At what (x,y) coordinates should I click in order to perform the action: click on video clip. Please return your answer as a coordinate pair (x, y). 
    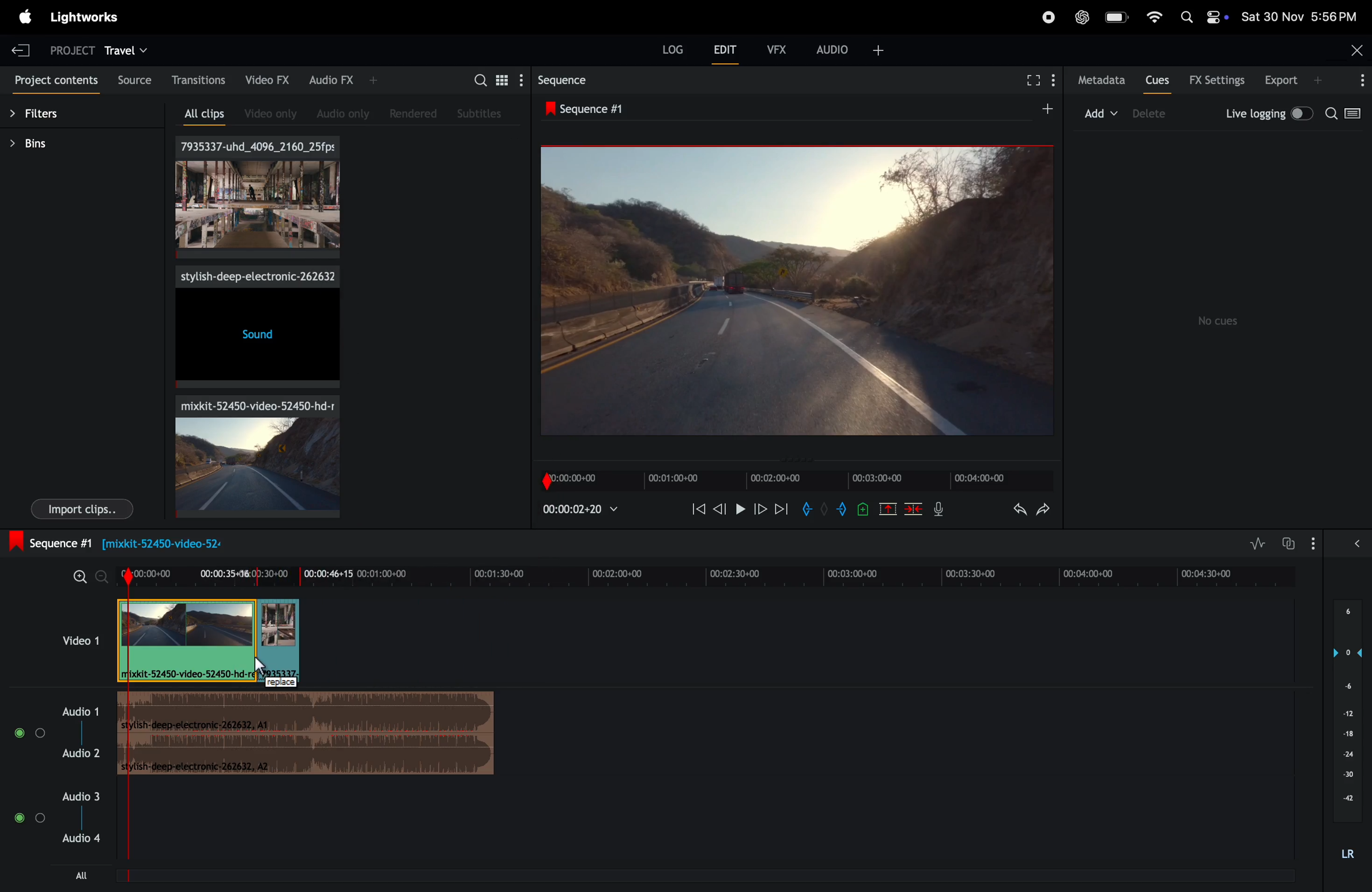
    Looking at the image, I should click on (250, 455).